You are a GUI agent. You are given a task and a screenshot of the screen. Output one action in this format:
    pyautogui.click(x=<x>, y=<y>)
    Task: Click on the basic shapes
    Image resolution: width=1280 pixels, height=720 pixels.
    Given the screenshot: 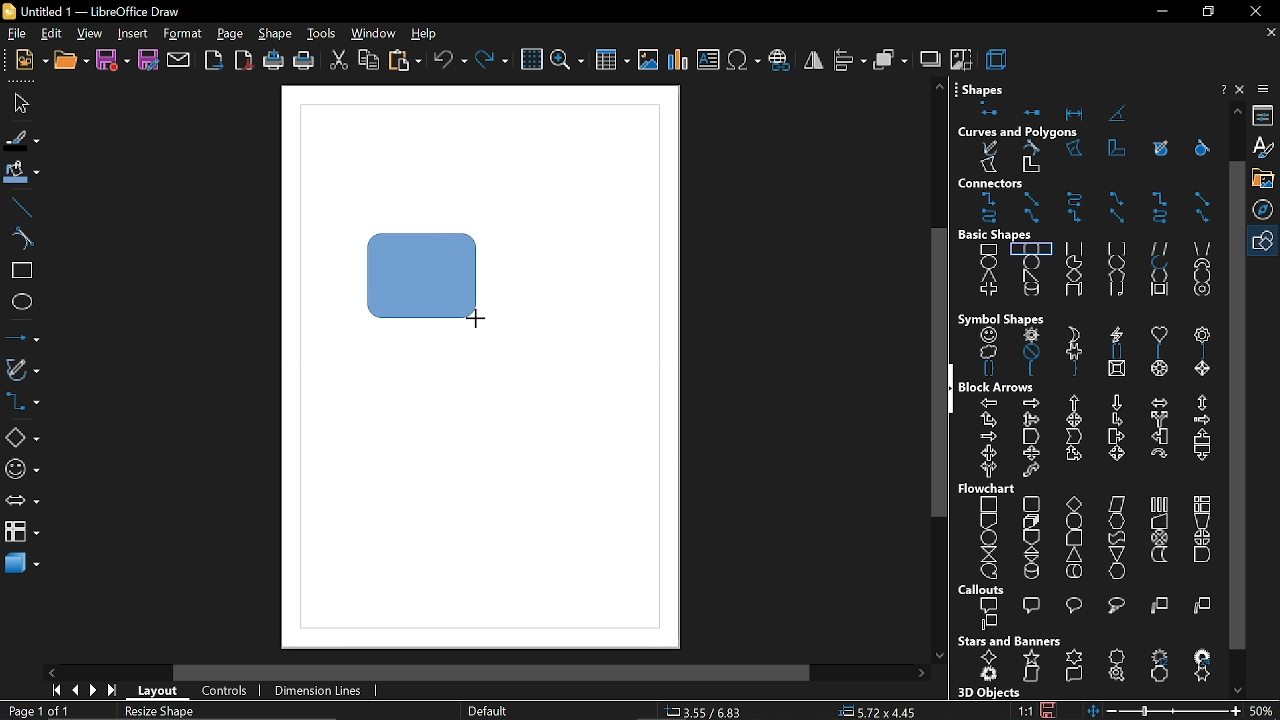 What is the action you would take?
    pyautogui.click(x=1265, y=242)
    